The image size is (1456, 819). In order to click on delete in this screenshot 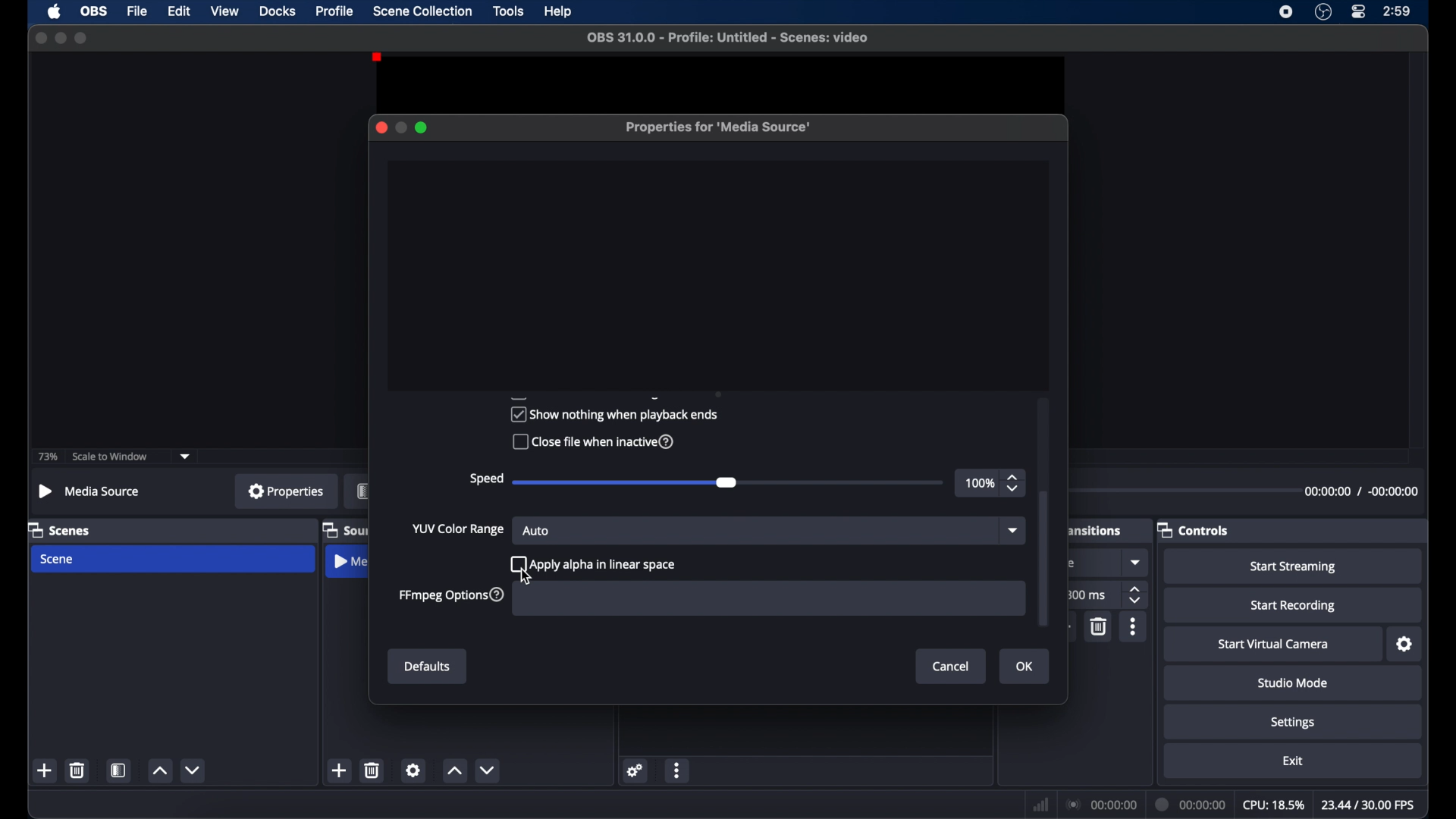, I will do `click(77, 770)`.